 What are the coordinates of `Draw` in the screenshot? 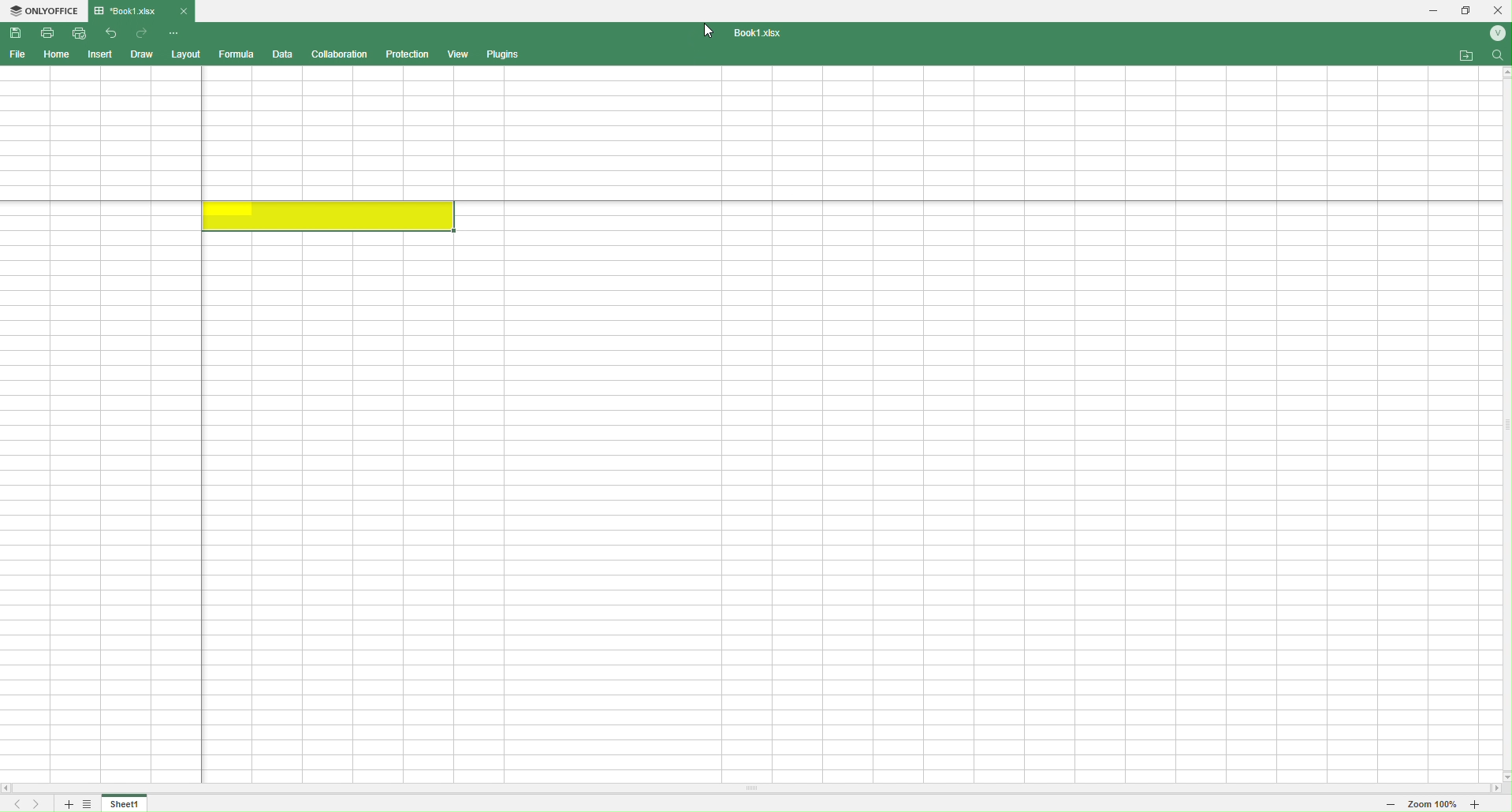 It's located at (141, 54).